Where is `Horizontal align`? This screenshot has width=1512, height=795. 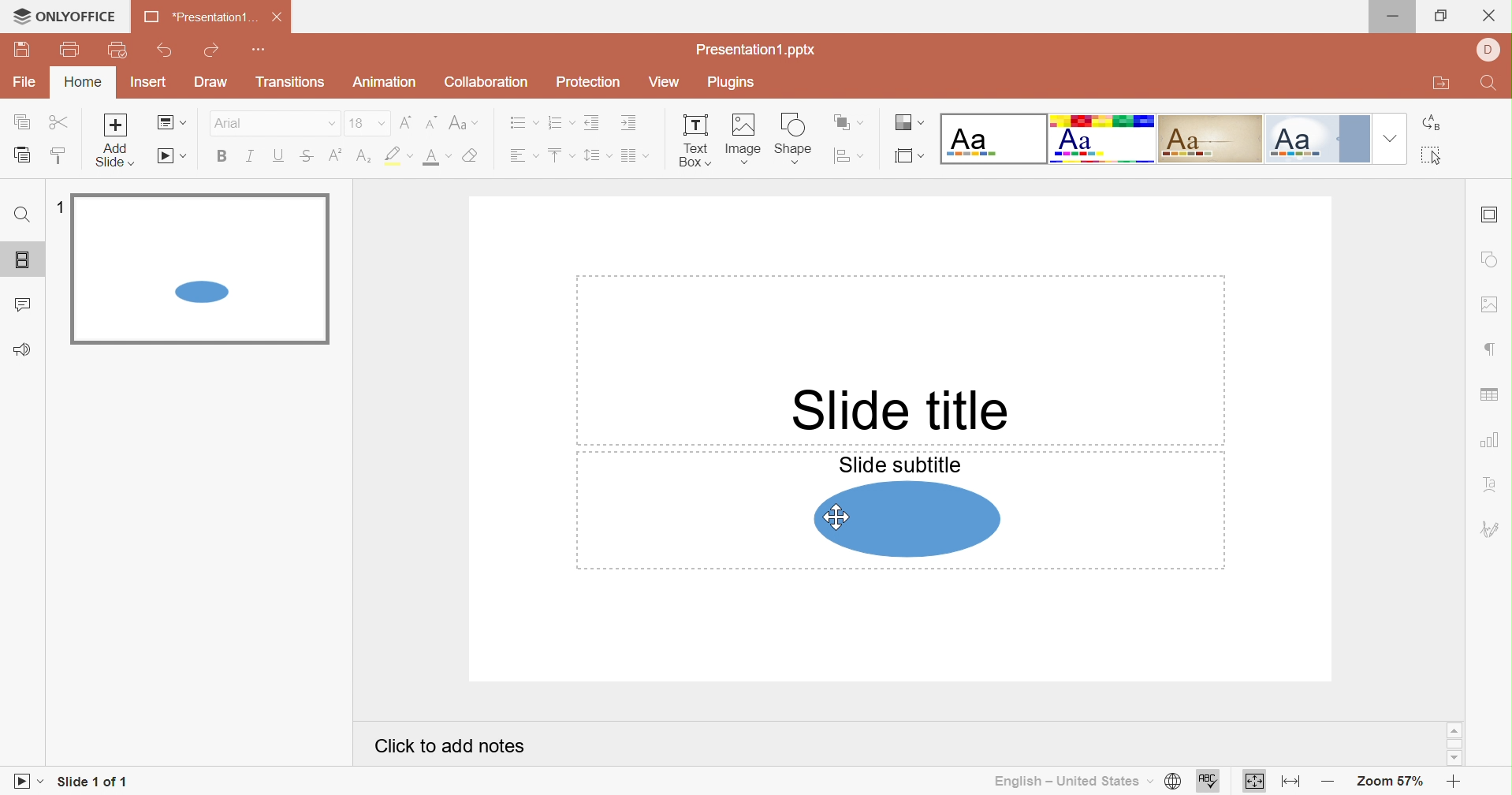 Horizontal align is located at coordinates (521, 156).